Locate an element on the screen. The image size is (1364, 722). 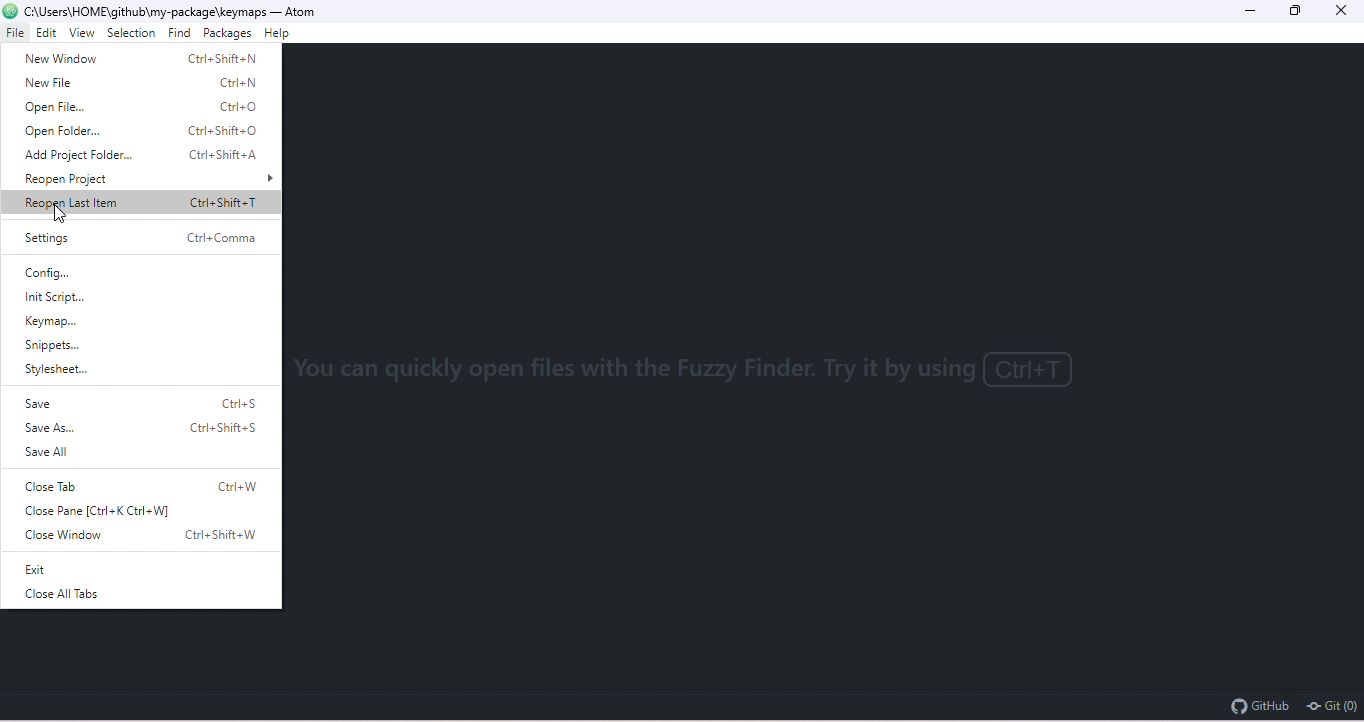
lint script is located at coordinates (109, 294).